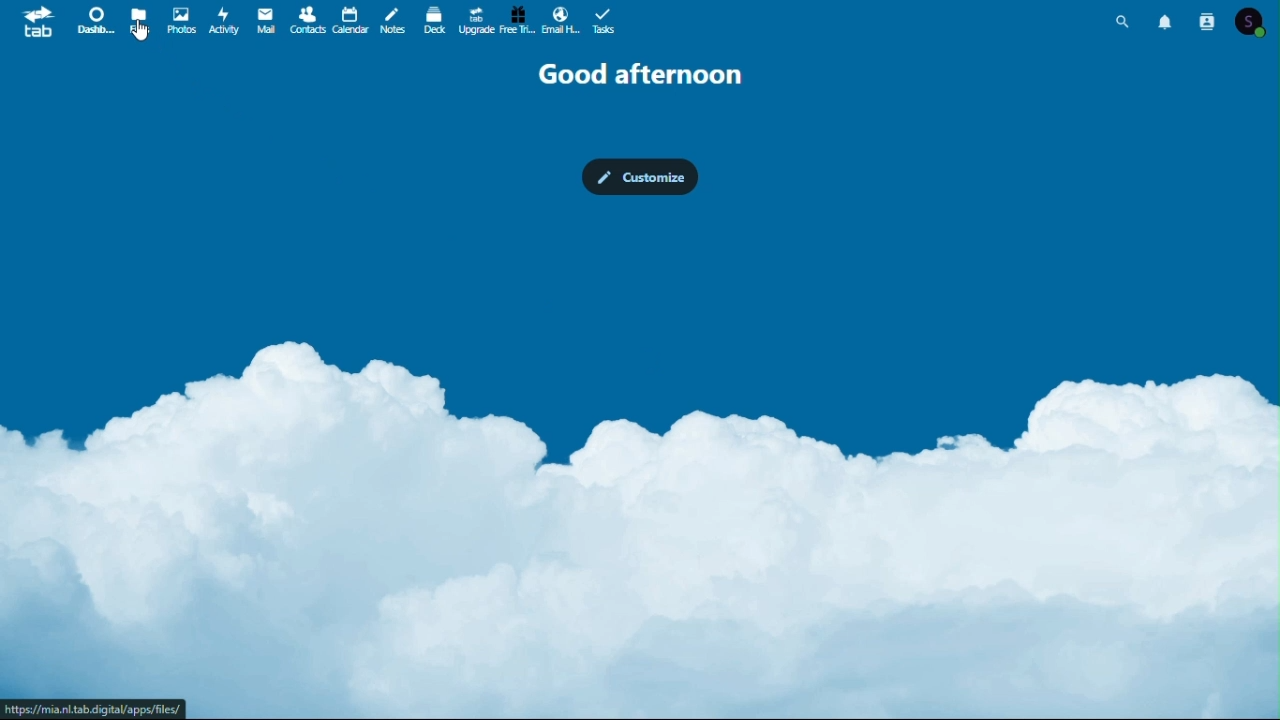  Describe the element at coordinates (36, 22) in the screenshot. I see `tab` at that location.